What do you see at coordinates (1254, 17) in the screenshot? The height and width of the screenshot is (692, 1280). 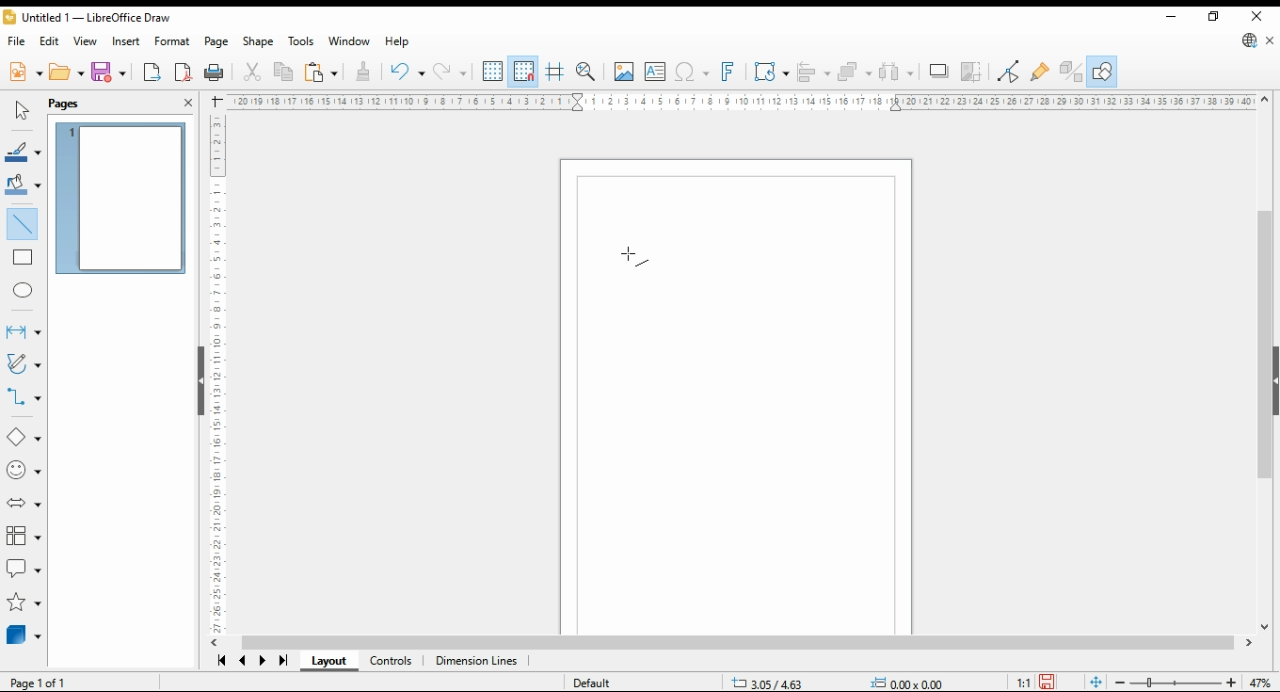 I see `close window` at bounding box center [1254, 17].